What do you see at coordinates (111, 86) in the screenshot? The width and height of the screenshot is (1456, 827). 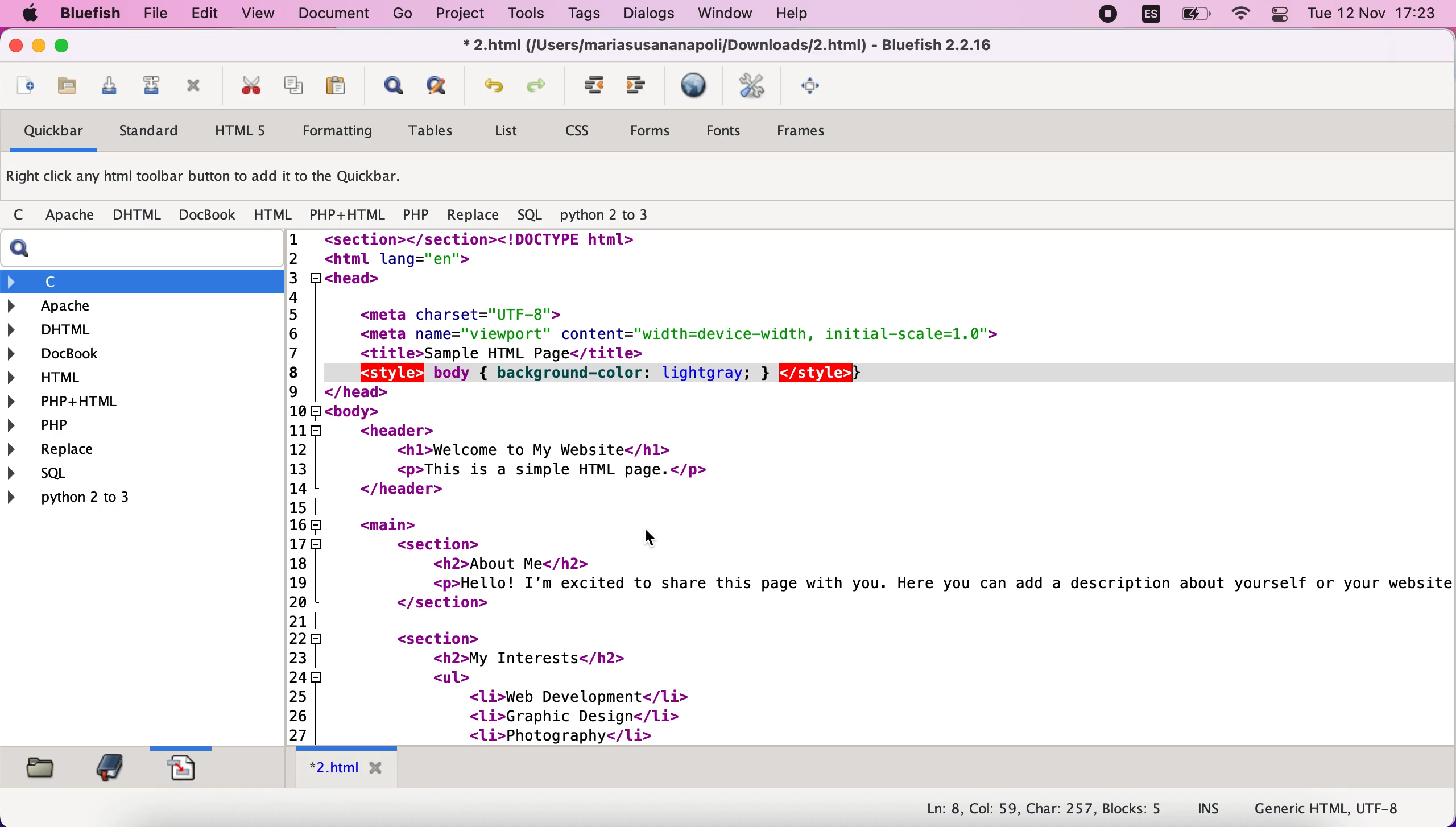 I see `save current file` at bounding box center [111, 86].